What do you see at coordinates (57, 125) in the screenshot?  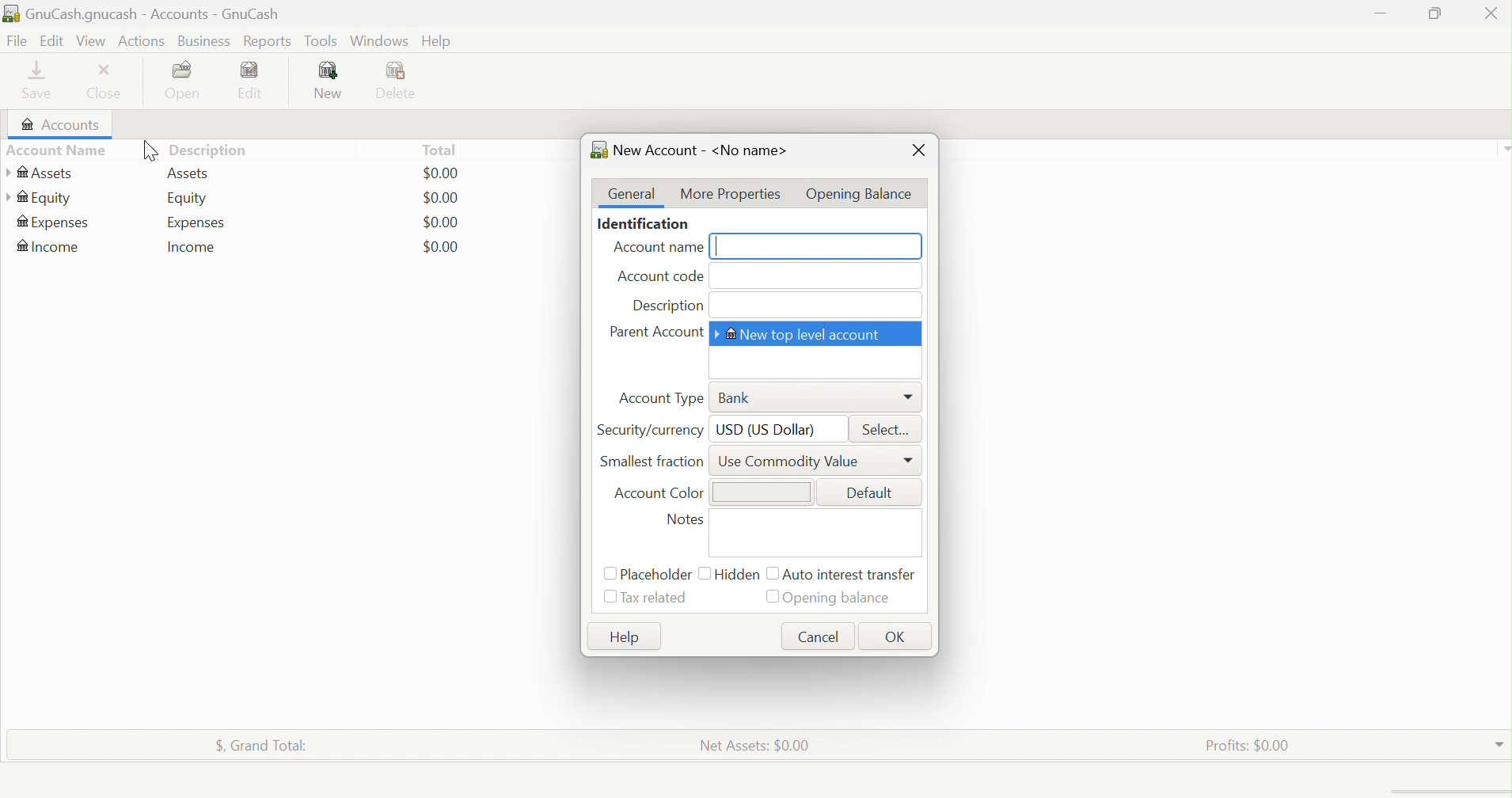 I see `Accounts` at bounding box center [57, 125].